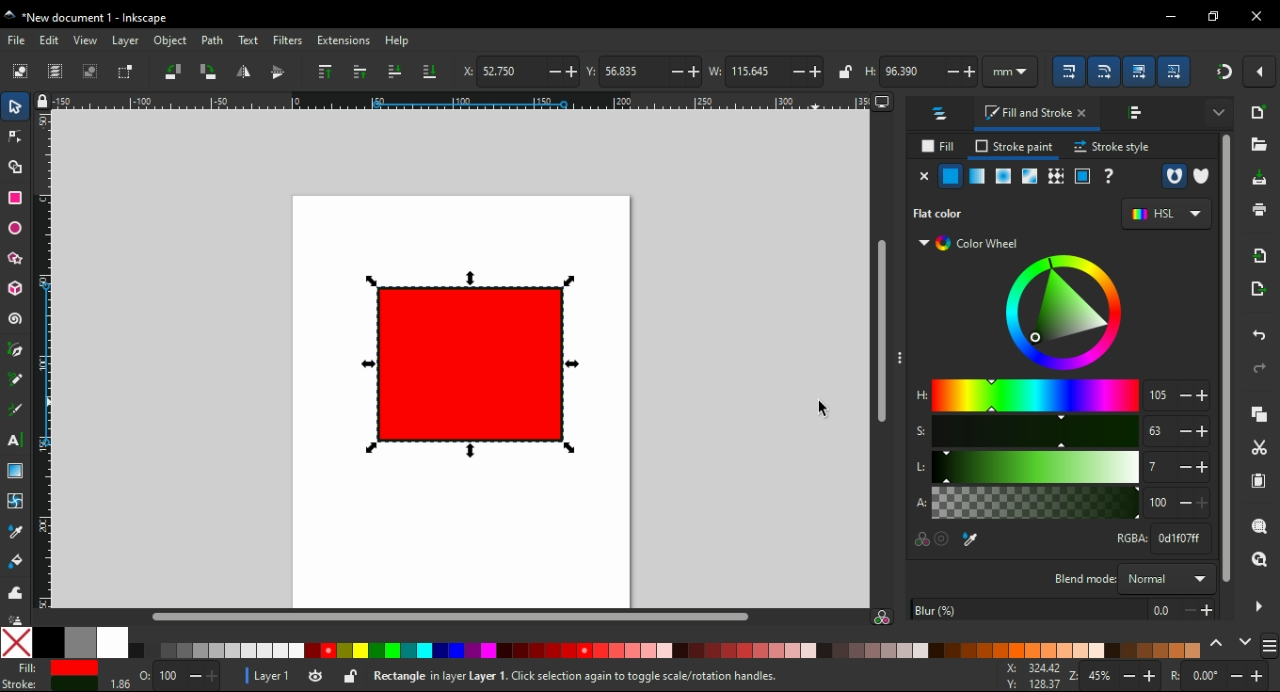 The height and width of the screenshot is (692, 1280). What do you see at coordinates (1258, 607) in the screenshot?
I see `hide` at bounding box center [1258, 607].